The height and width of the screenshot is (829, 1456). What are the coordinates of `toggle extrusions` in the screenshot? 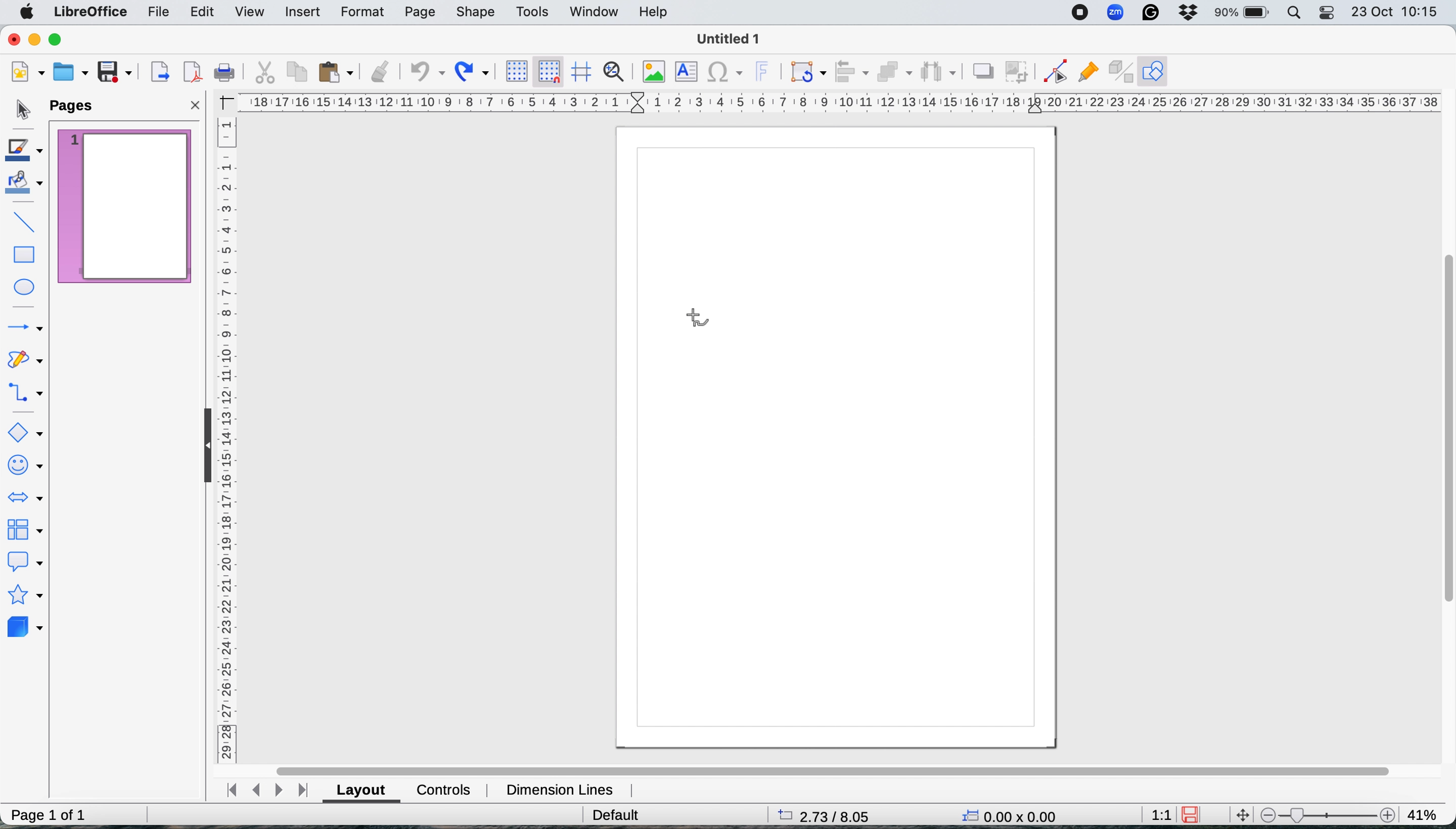 It's located at (1119, 71).